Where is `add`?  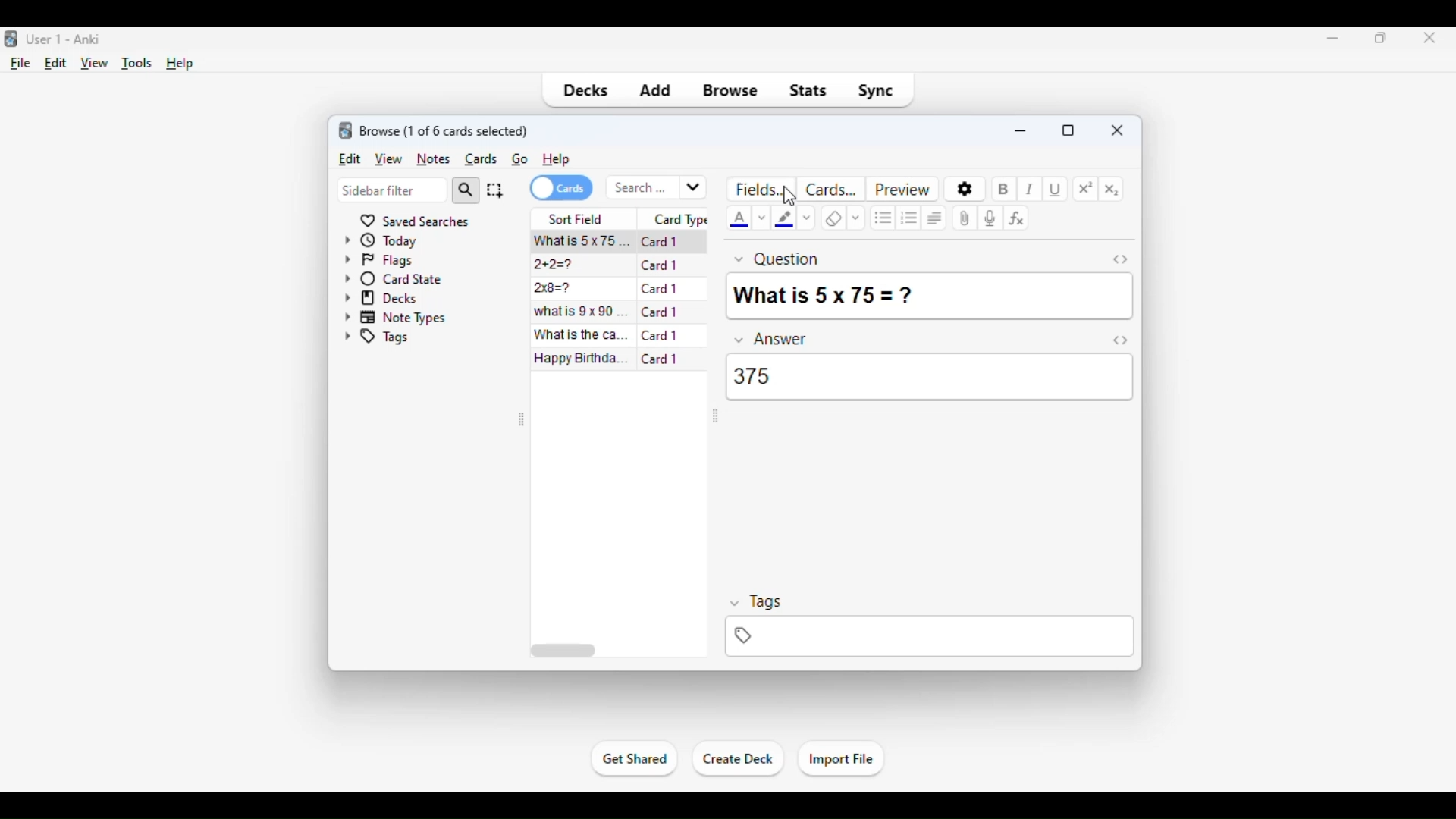 add is located at coordinates (654, 91).